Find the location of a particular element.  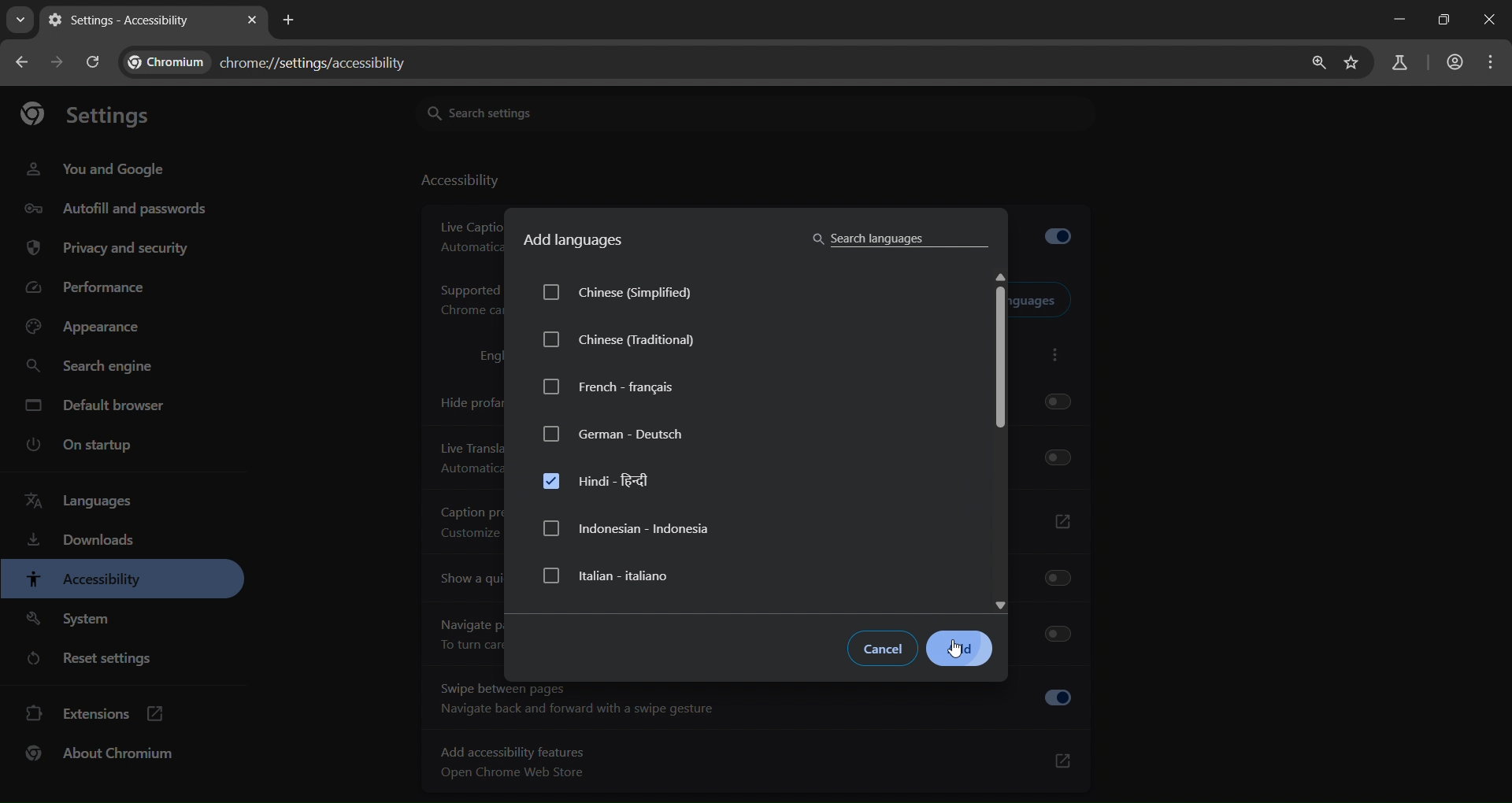

Hindi is located at coordinates (603, 480).